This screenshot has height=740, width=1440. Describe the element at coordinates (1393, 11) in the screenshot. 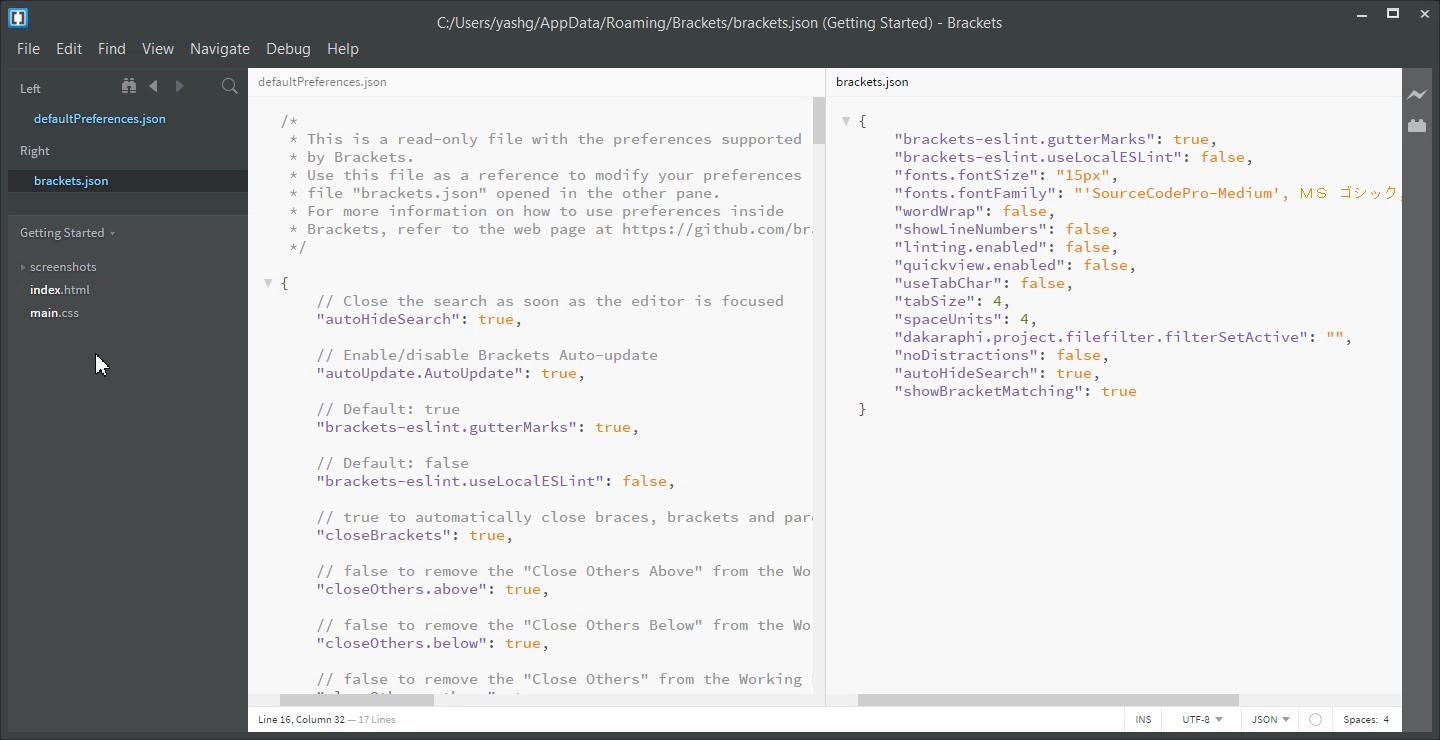

I see `Maximize` at that location.